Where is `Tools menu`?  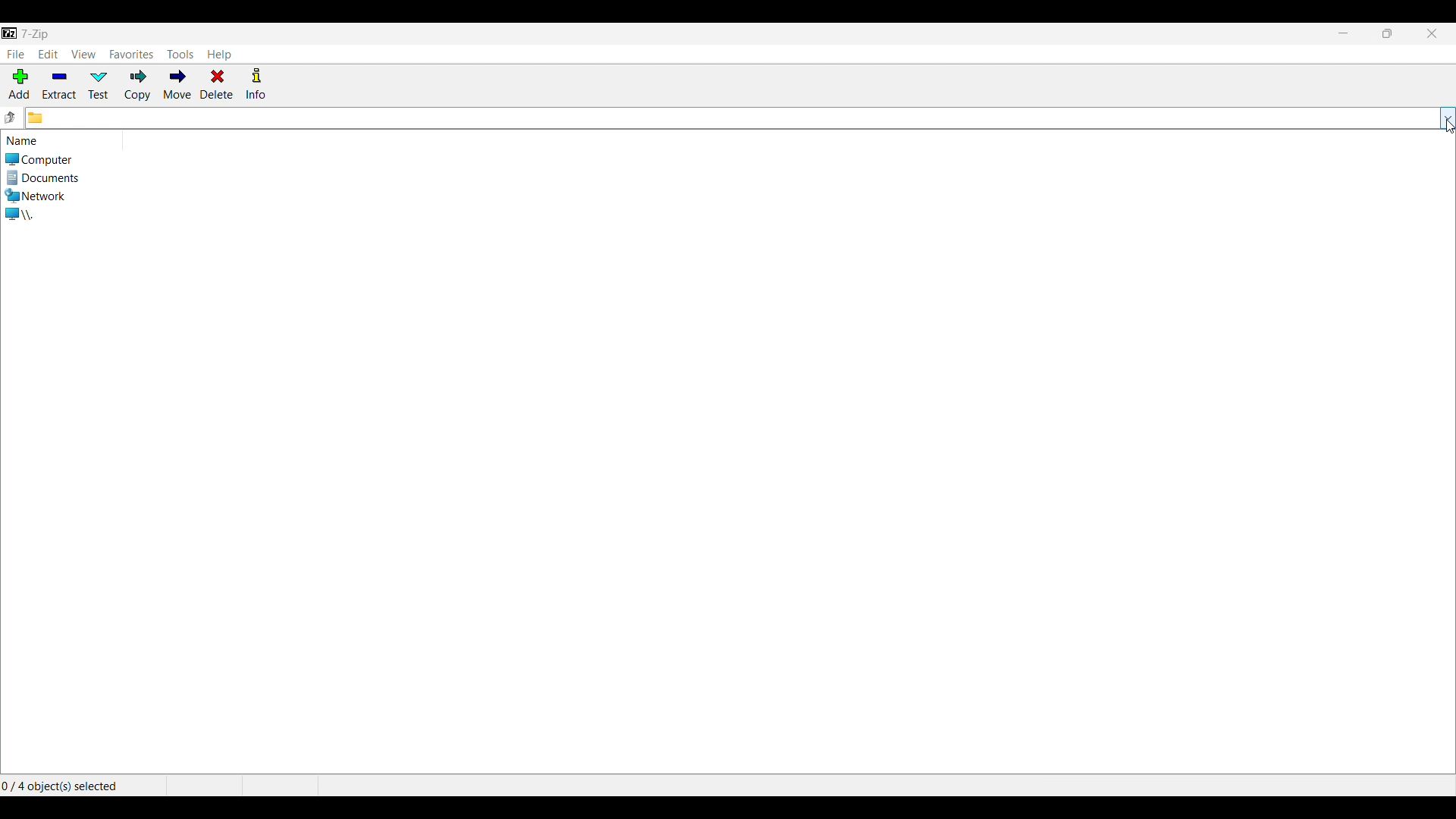
Tools menu is located at coordinates (180, 55).